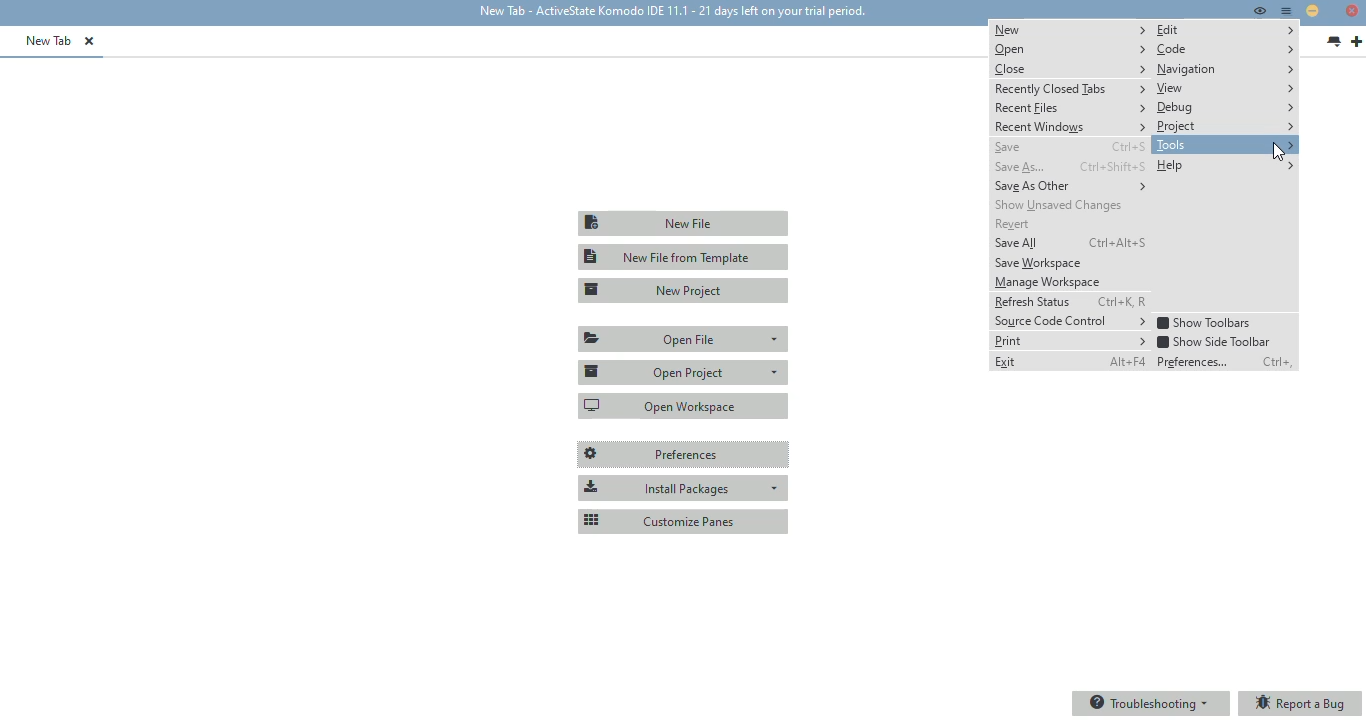 This screenshot has height=720, width=1366. I want to click on show toolbars, so click(1205, 323).